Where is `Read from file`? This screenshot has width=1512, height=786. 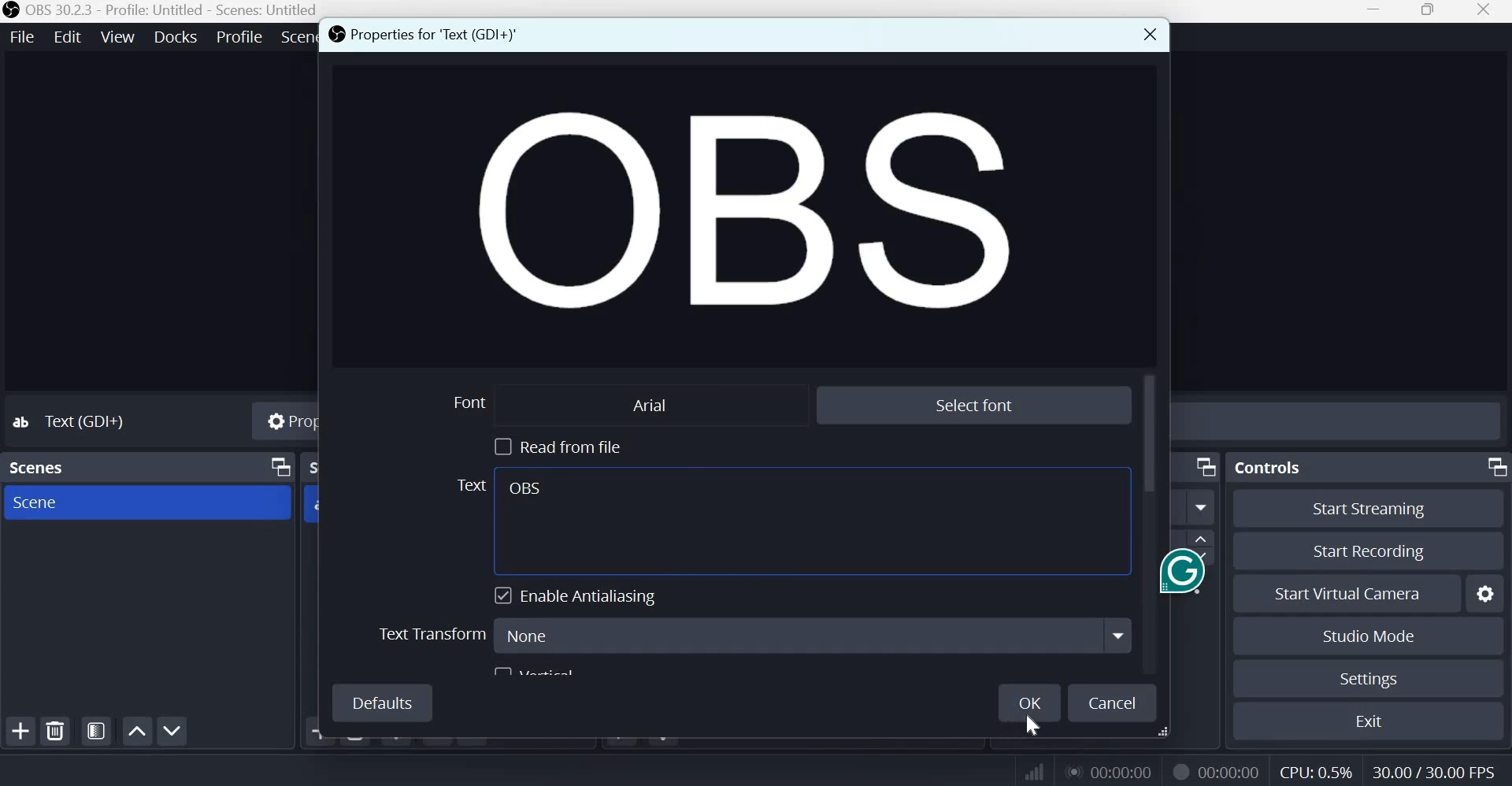
Read from file is located at coordinates (554, 445).